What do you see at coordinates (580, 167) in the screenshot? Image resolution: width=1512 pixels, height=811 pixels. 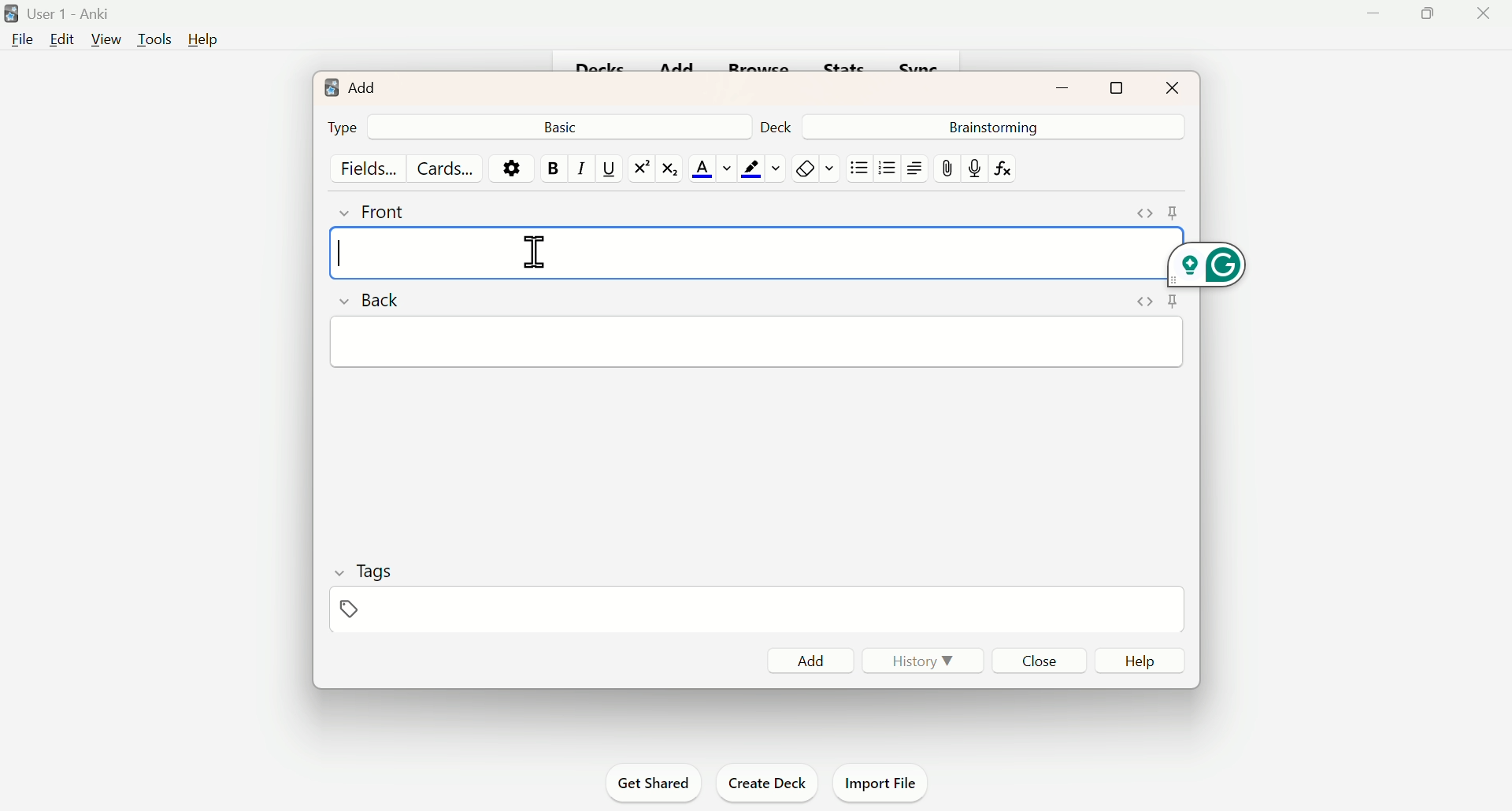 I see `Italiac` at bounding box center [580, 167].